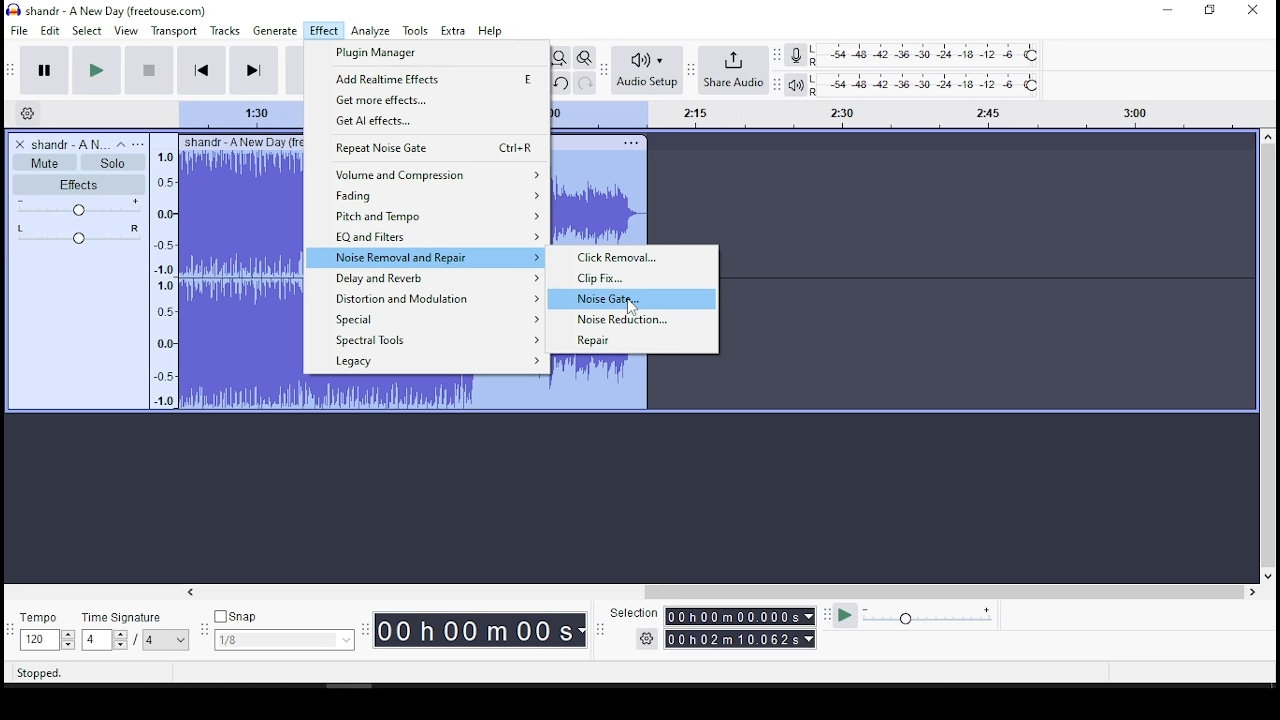  I want to click on slider, so click(1272, 357).